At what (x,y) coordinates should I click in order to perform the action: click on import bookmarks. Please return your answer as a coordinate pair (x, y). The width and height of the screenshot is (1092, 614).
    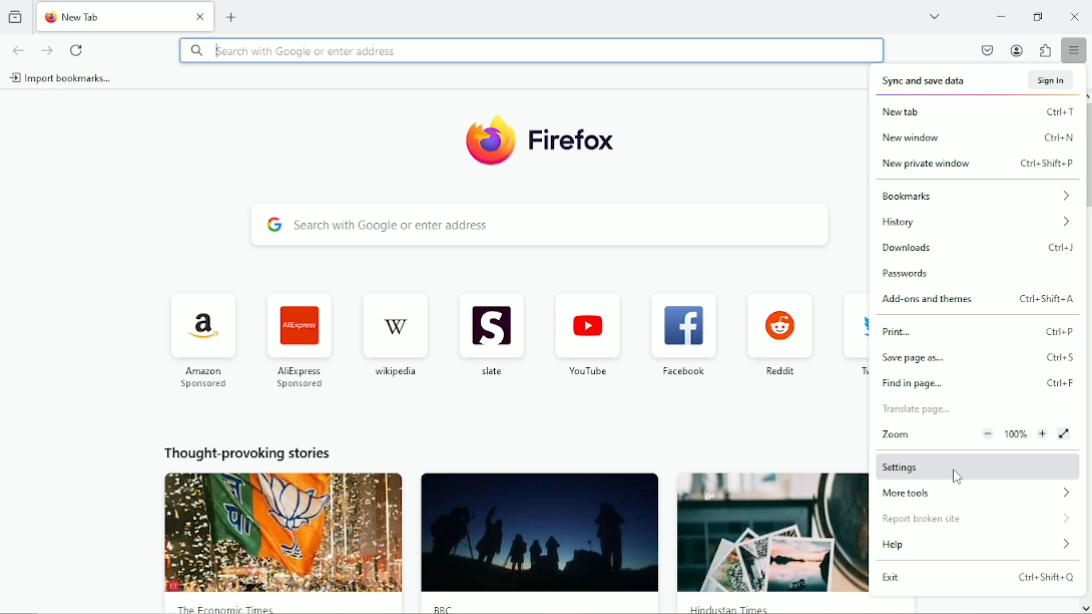
    Looking at the image, I should click on (62, 77).